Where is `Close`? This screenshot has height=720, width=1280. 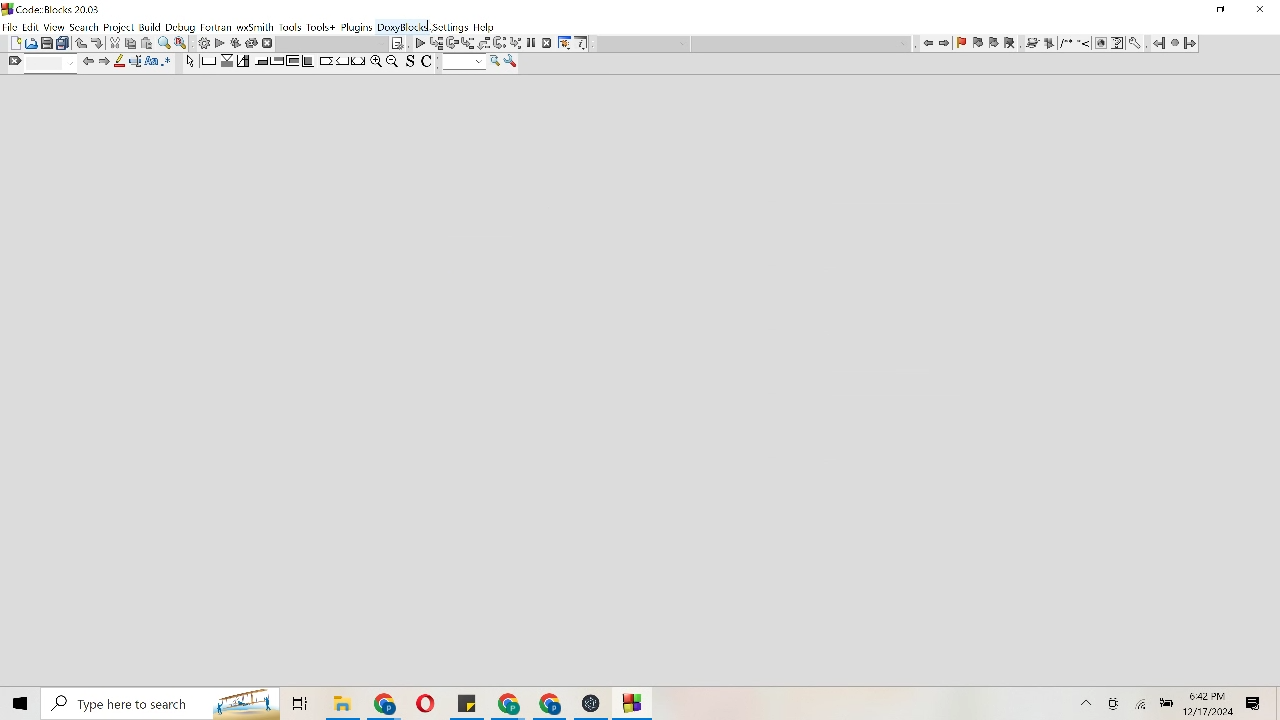
Close is located at coordinates (1261, 10).